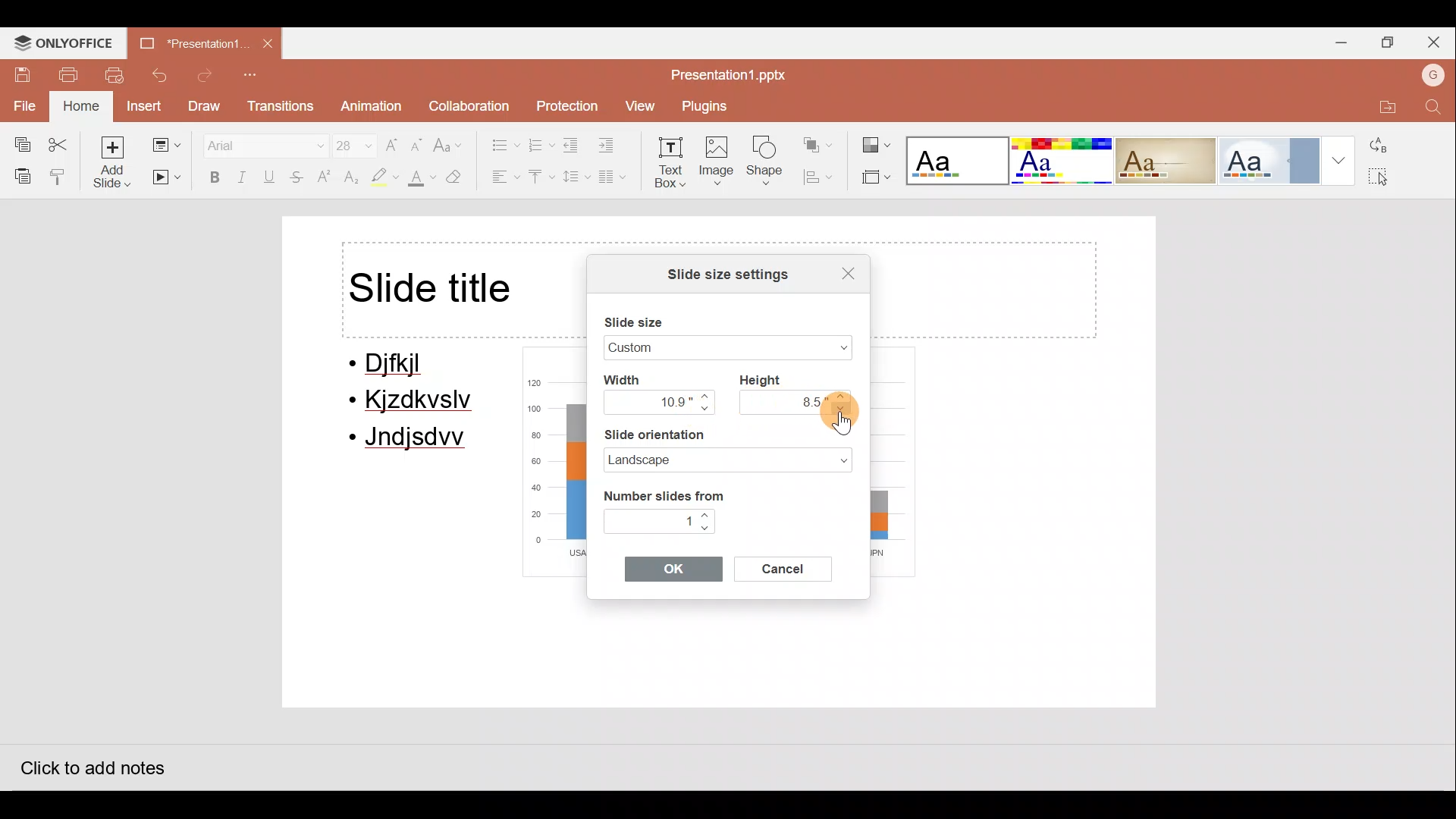 This screenshot has height=819, width=1456. I want to click on Close, so click(1437, 39).